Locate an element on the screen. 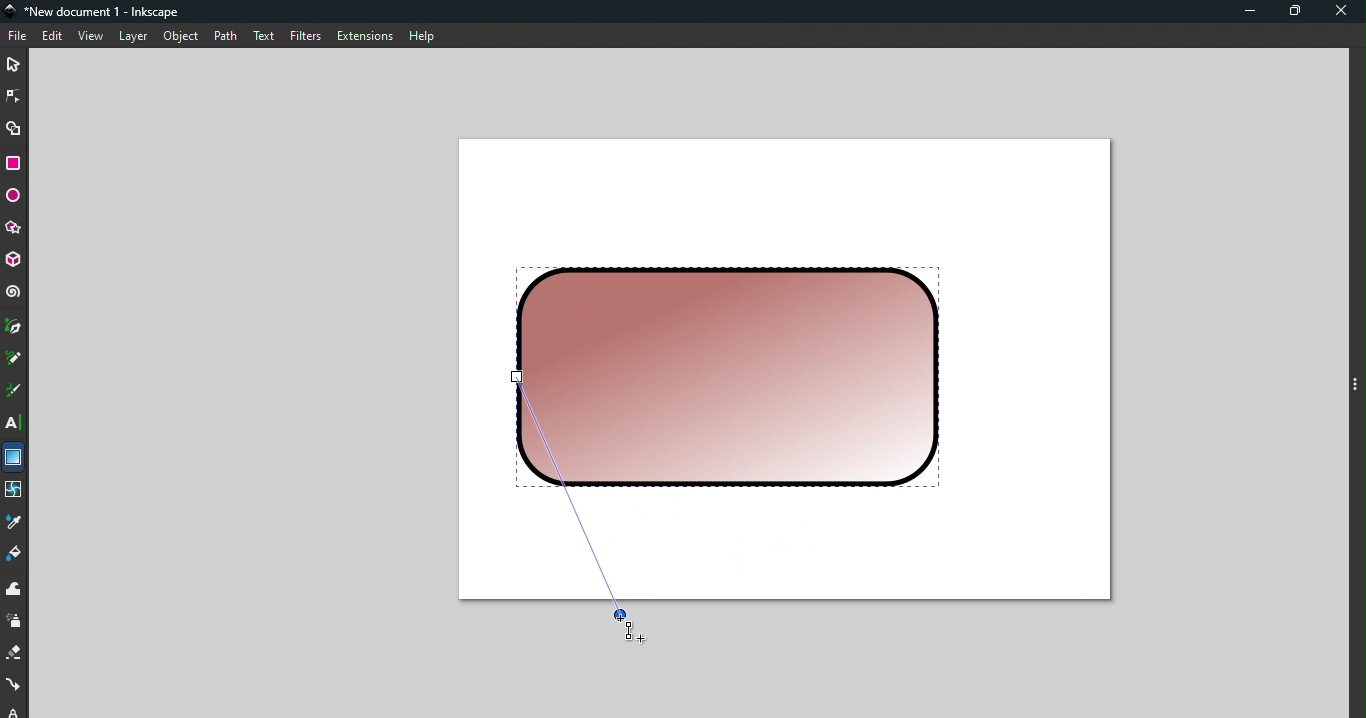 This screenshot has width=1366, height=718. Rectangle tool is located at coordinates (17, 163).